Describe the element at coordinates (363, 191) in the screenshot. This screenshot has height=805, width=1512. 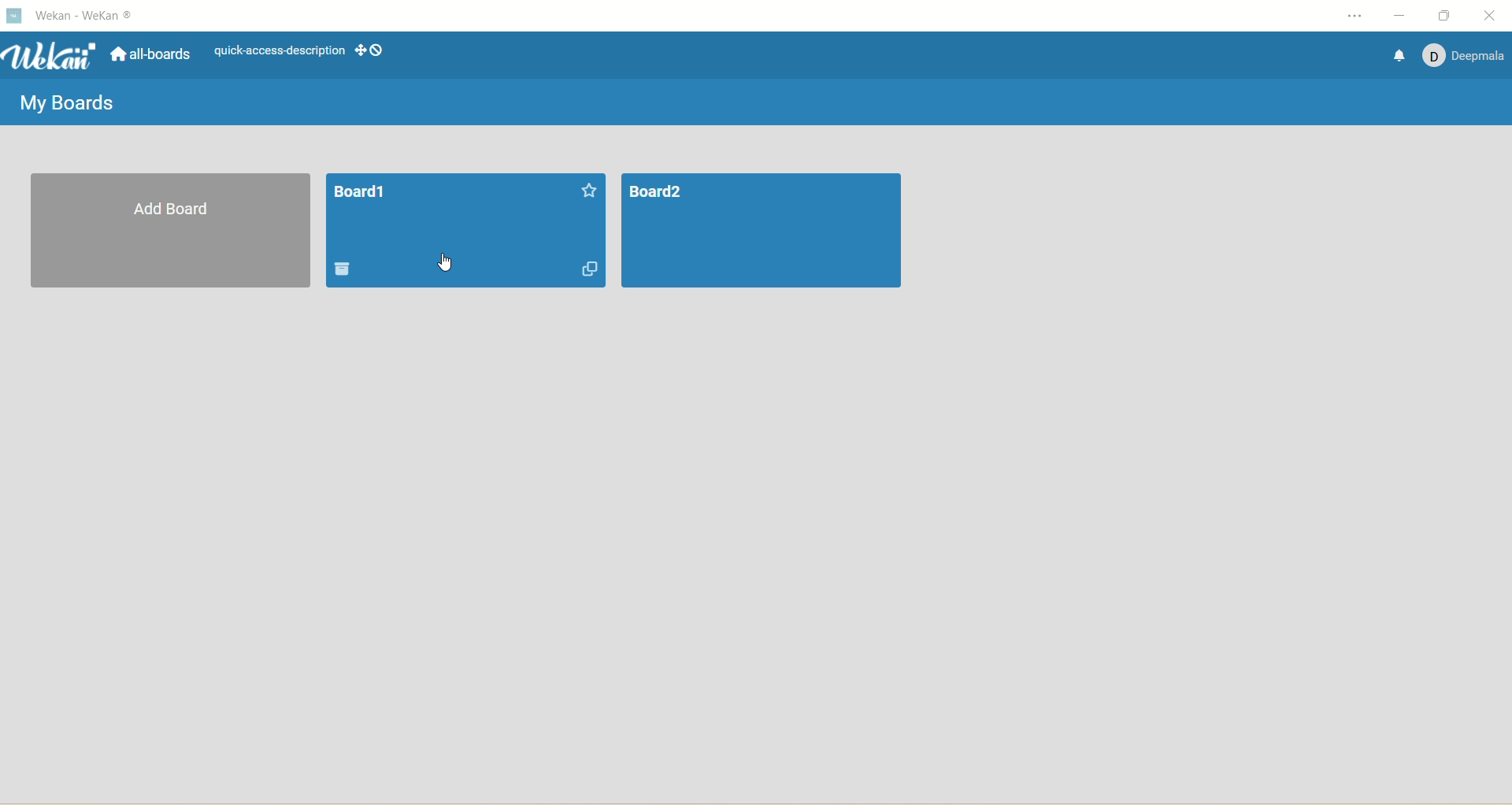
I see `title` at that location.